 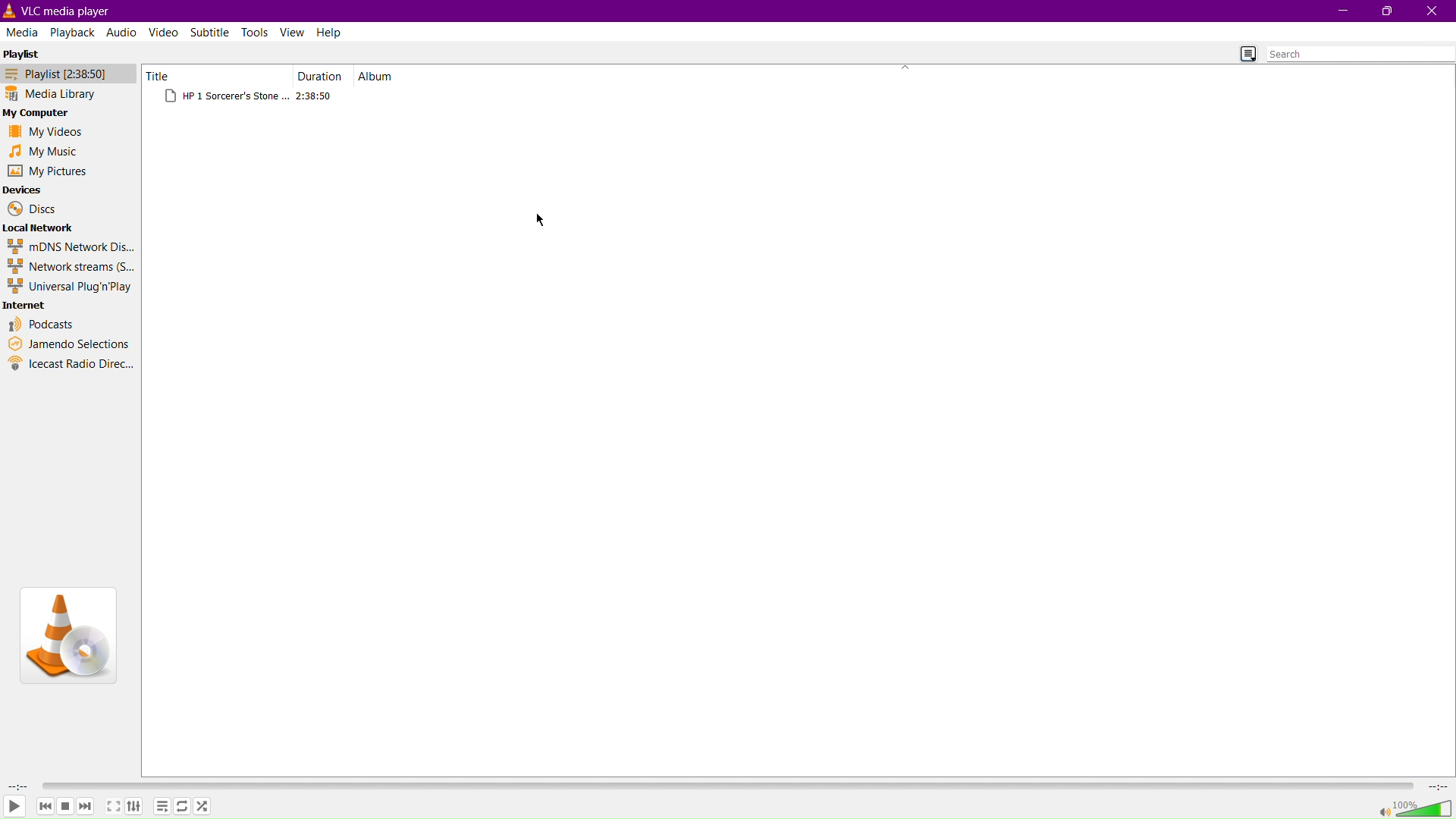 What do you see at coordinates (42, 151) in the screenshot?
I see `My Music` at bounding box center [42, 151].